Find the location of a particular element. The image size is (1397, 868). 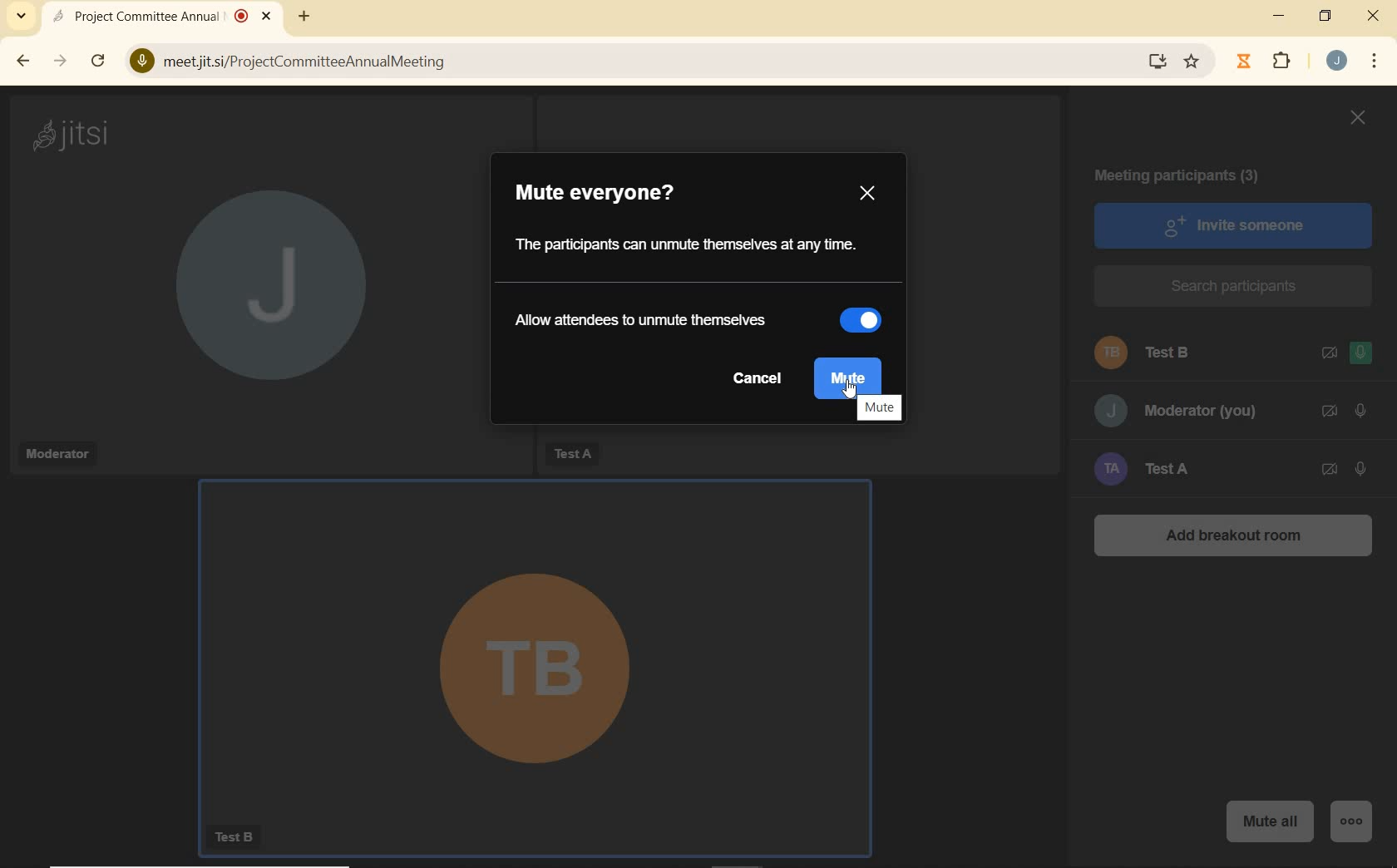

MINIMIZE is located at coordinates (1281, 18).